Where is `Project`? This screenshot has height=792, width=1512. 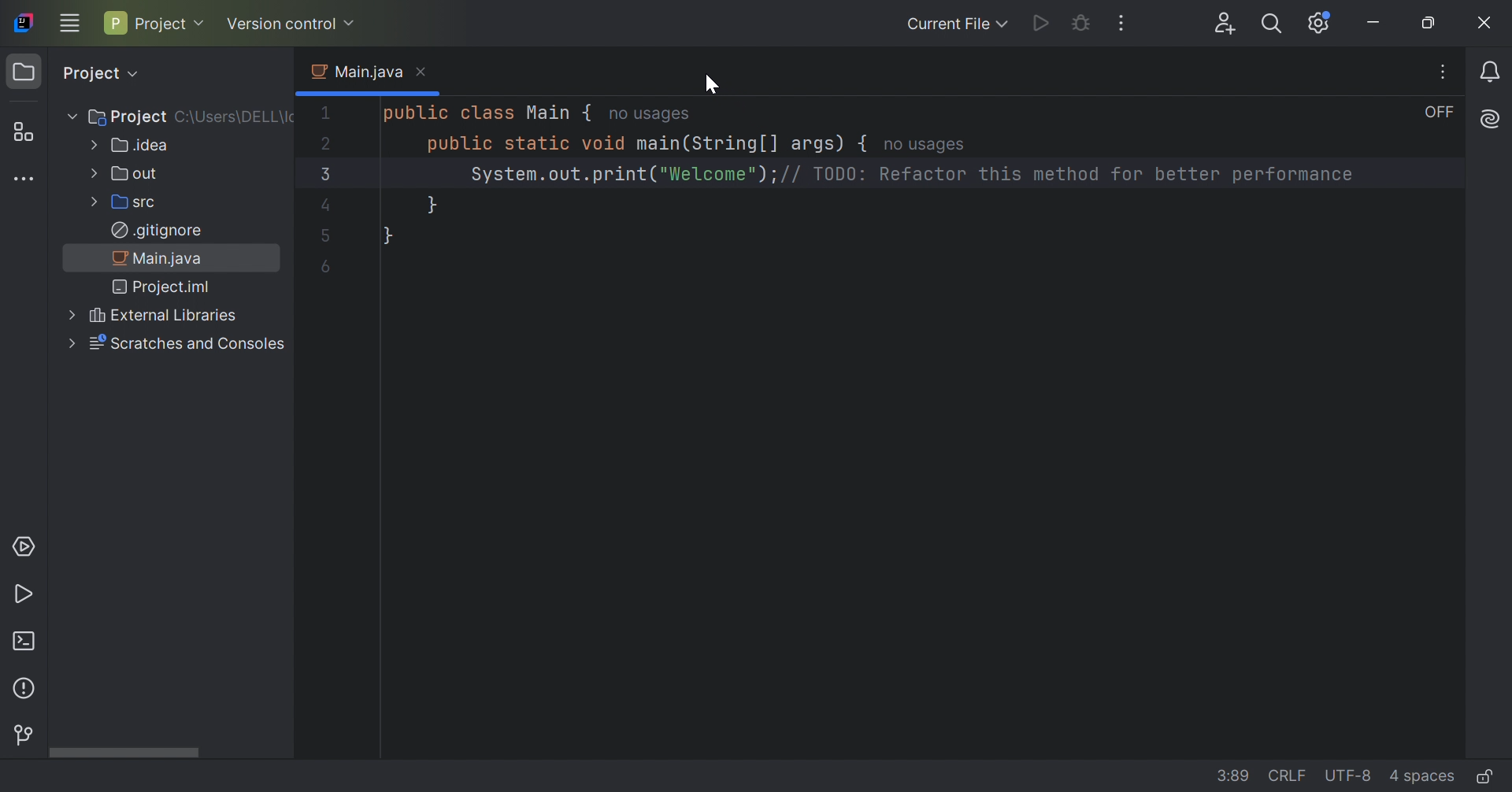 Project is located at coordinates (99, 73).